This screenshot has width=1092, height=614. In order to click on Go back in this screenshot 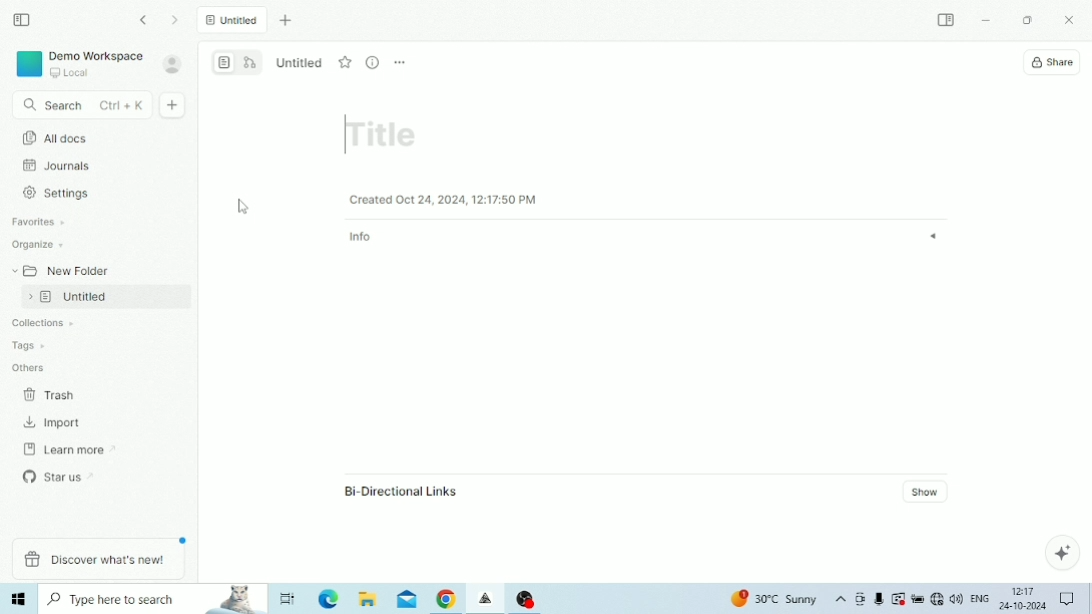, I will do `click(146, 20)`.